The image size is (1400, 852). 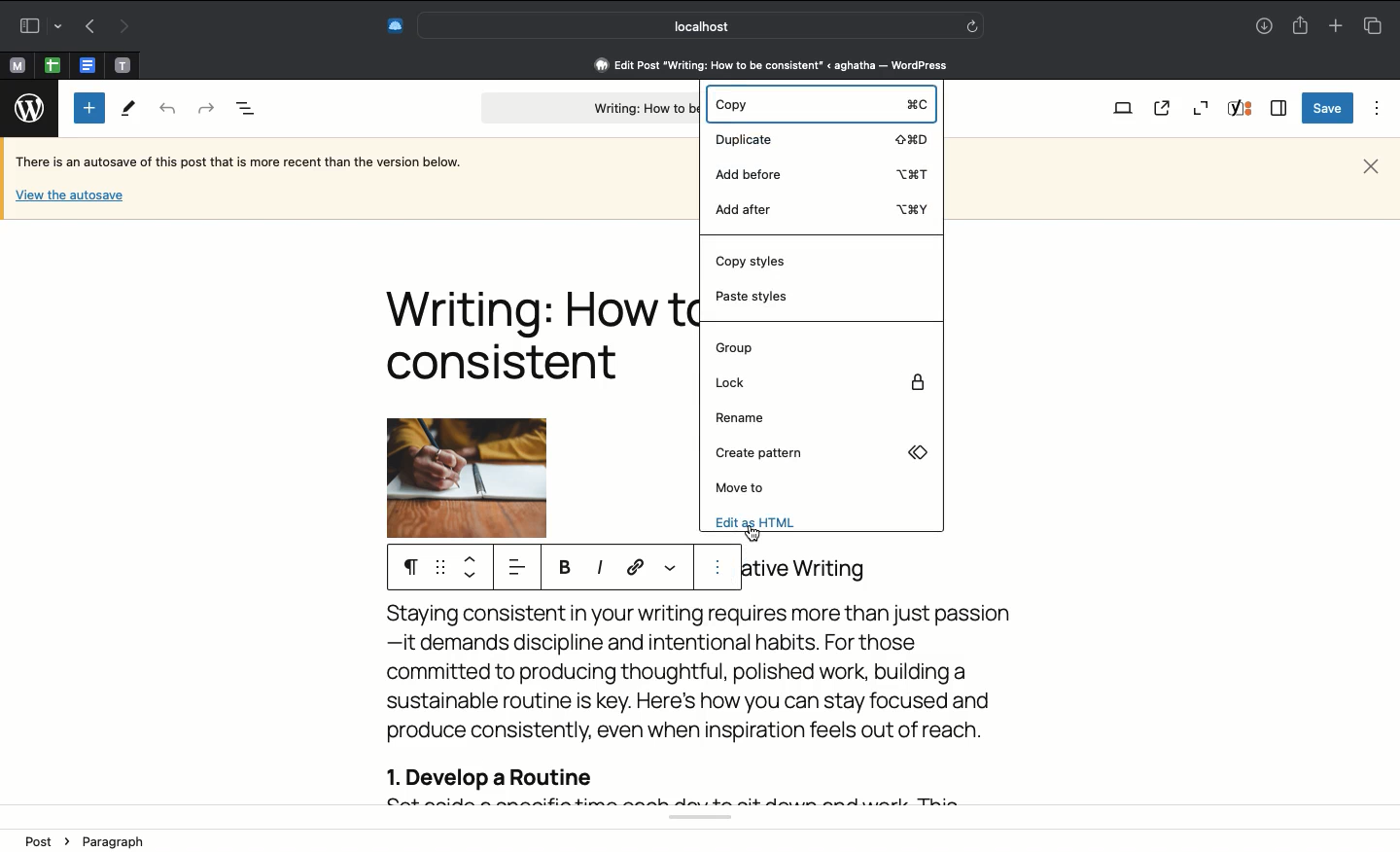 What do you see at coordinates (25, 108) in the screenshot?
I see `Wordpress logo` at bounding box center [25, 108].